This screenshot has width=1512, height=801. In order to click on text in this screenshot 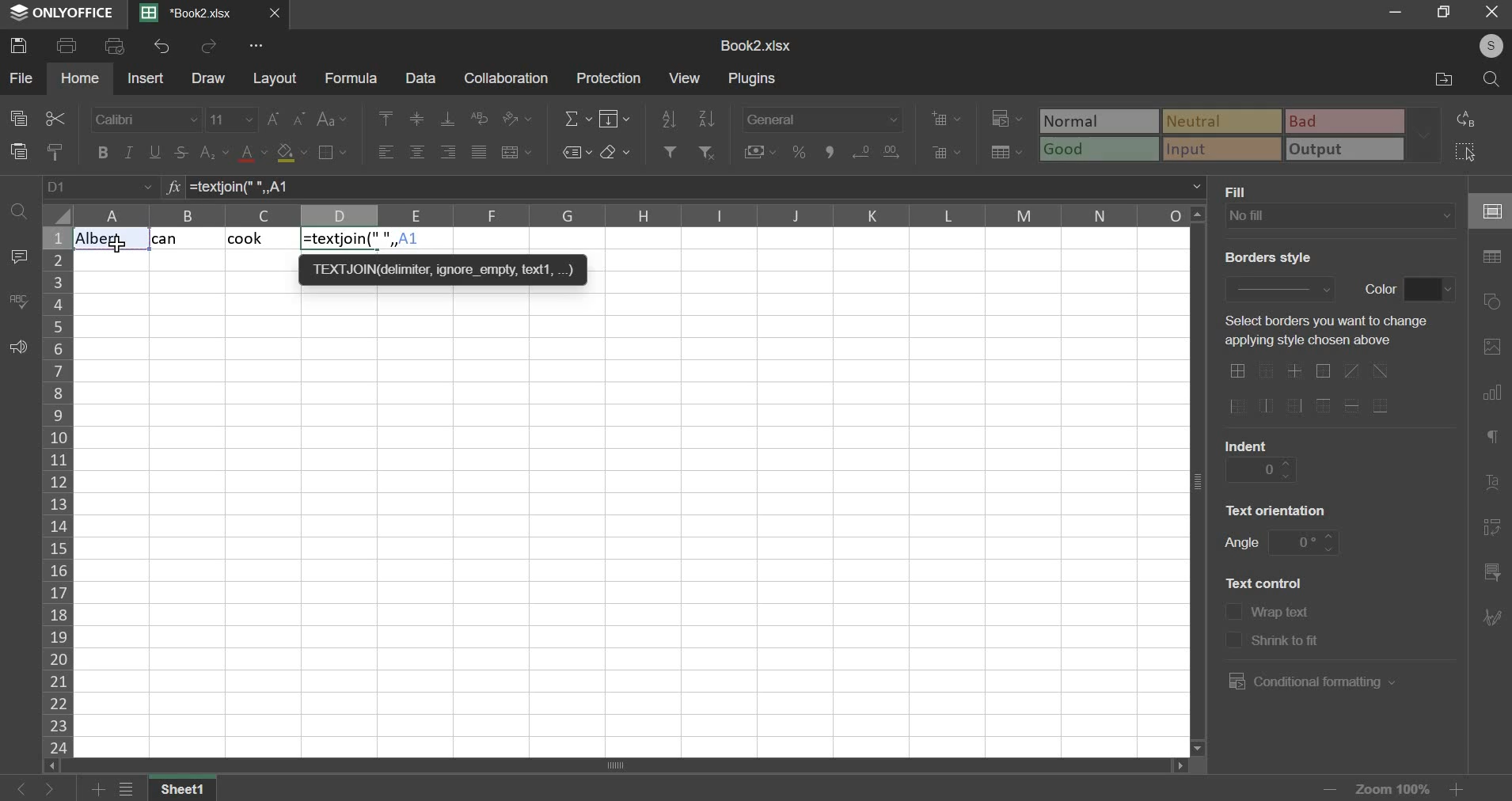, I will do `click(1241, 545)`.